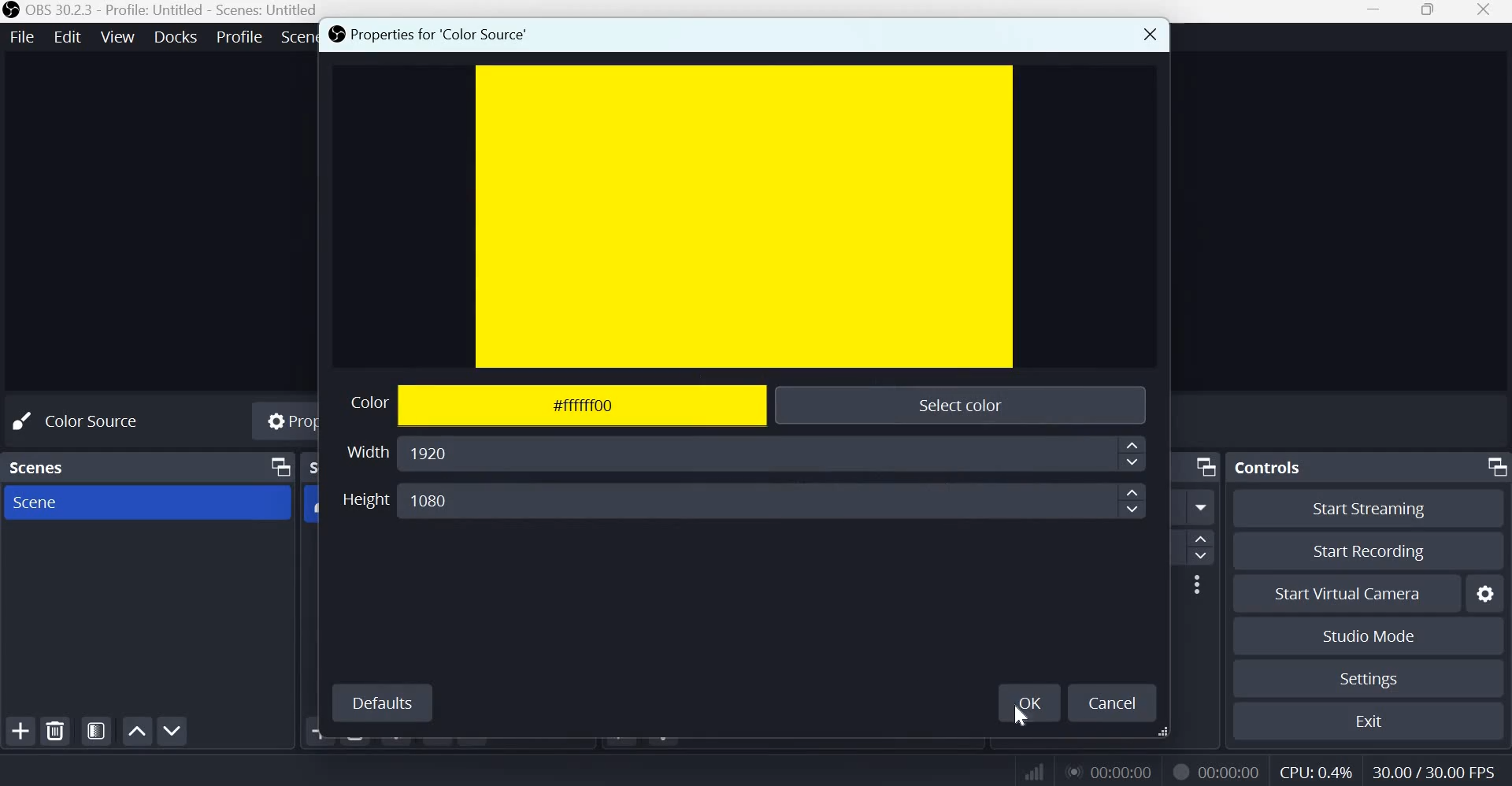 The image size is (1512, 786). Describe the element at coordinates (1197, 584) in the screenshot. I see `More options` at that location.